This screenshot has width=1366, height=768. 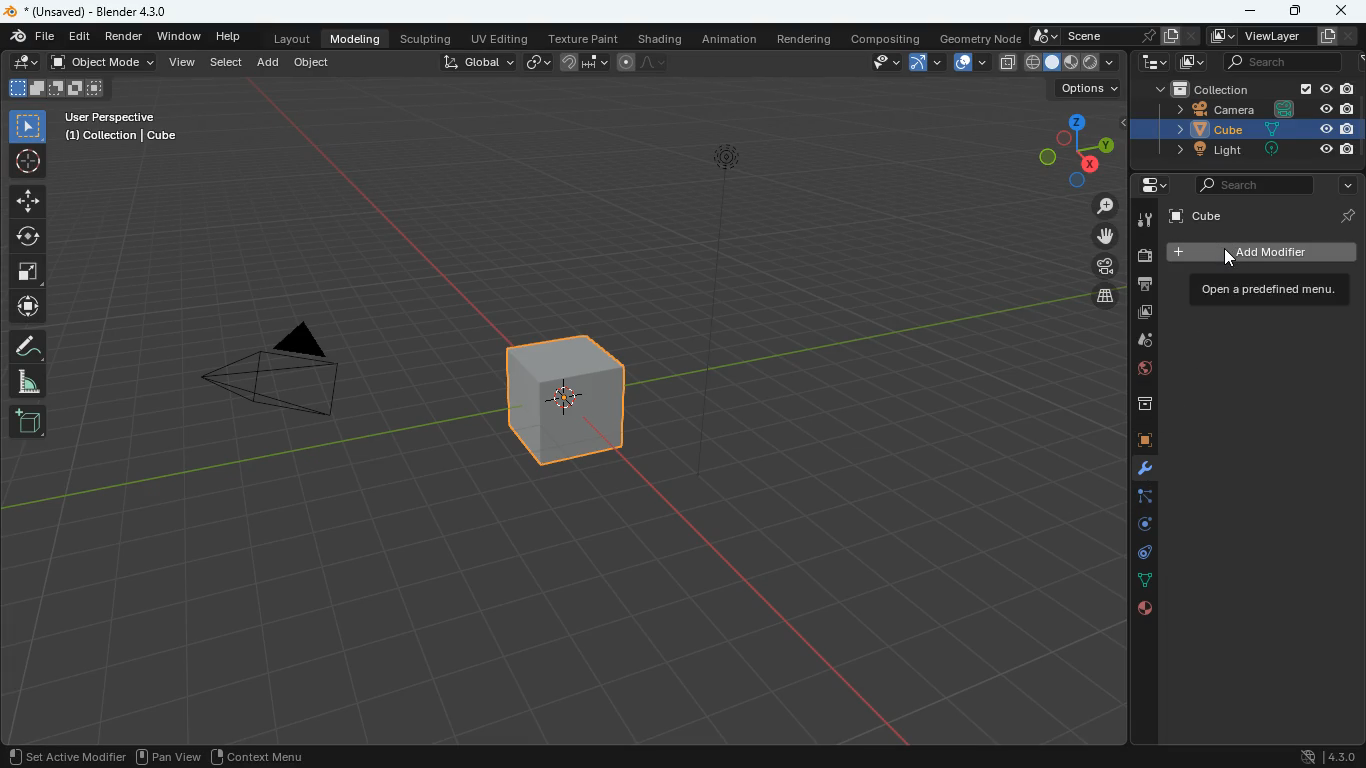 What do you see at coordinates (1347, 108) in the screenshot?
I see `` at bounding box center [1347, 108].